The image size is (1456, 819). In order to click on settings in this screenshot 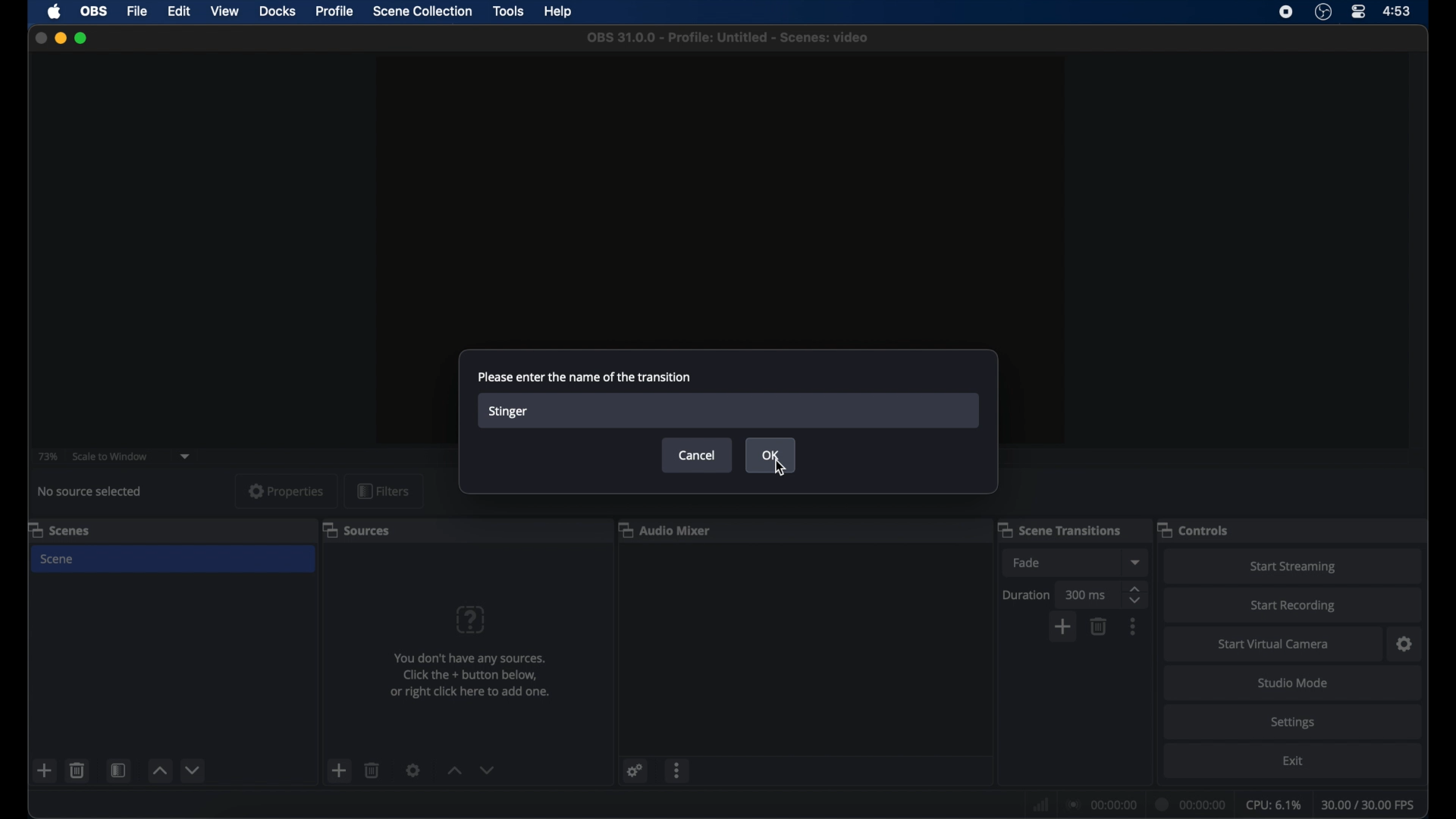, I will do `click(413, 770)`.